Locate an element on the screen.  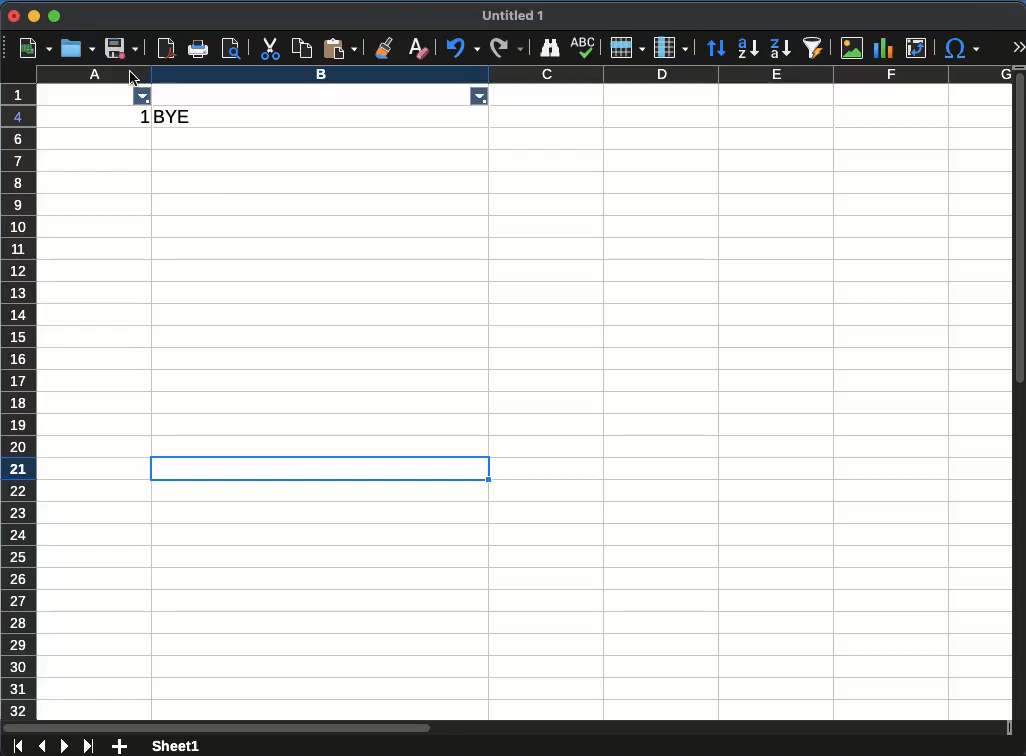
minimize is located at coordinates (33, 15).